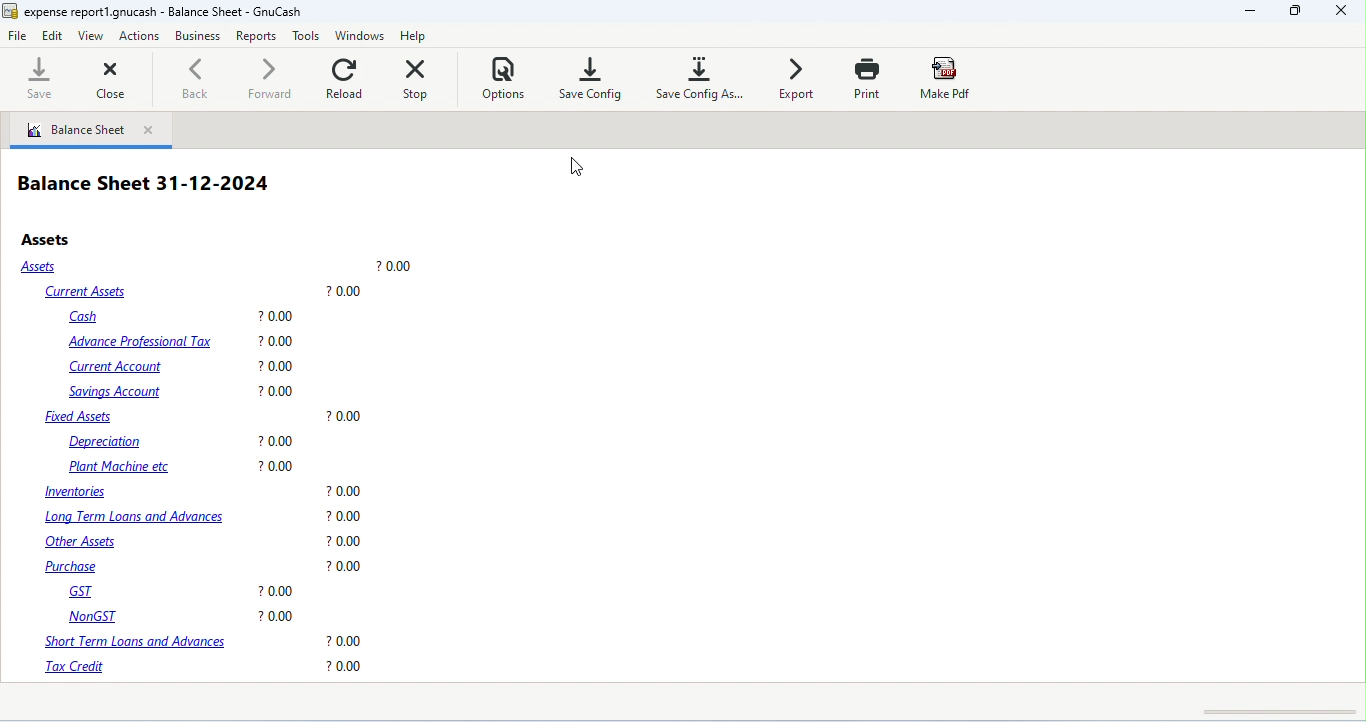  Describe the element at coordinates (197, 35) in the screenshot. I see `business` at that location.